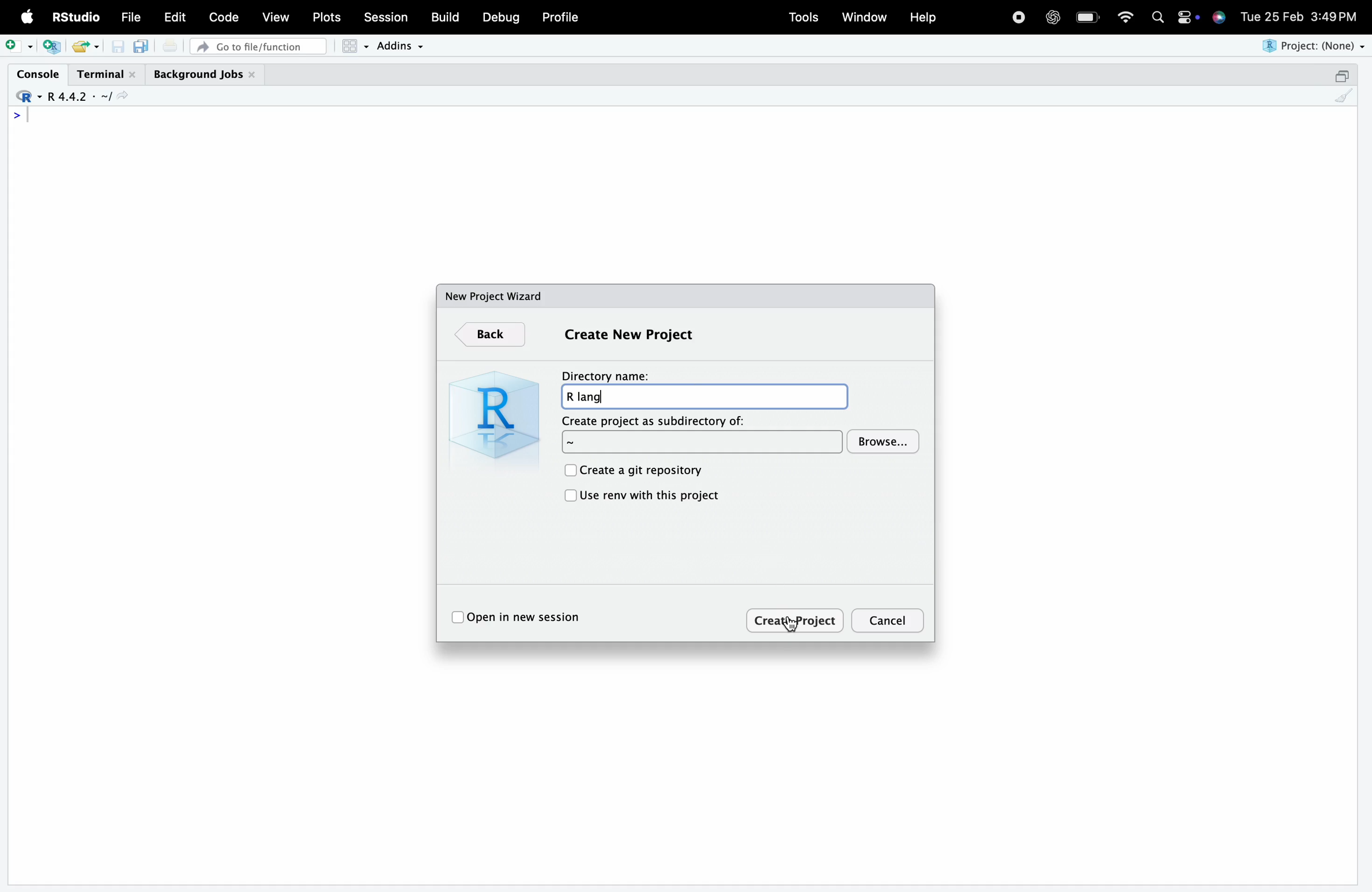 The width and height of the screenshot is (1372, 892). Describe the element at coordinates (175, 17) in the screenshot. I see `Edit` at that location.